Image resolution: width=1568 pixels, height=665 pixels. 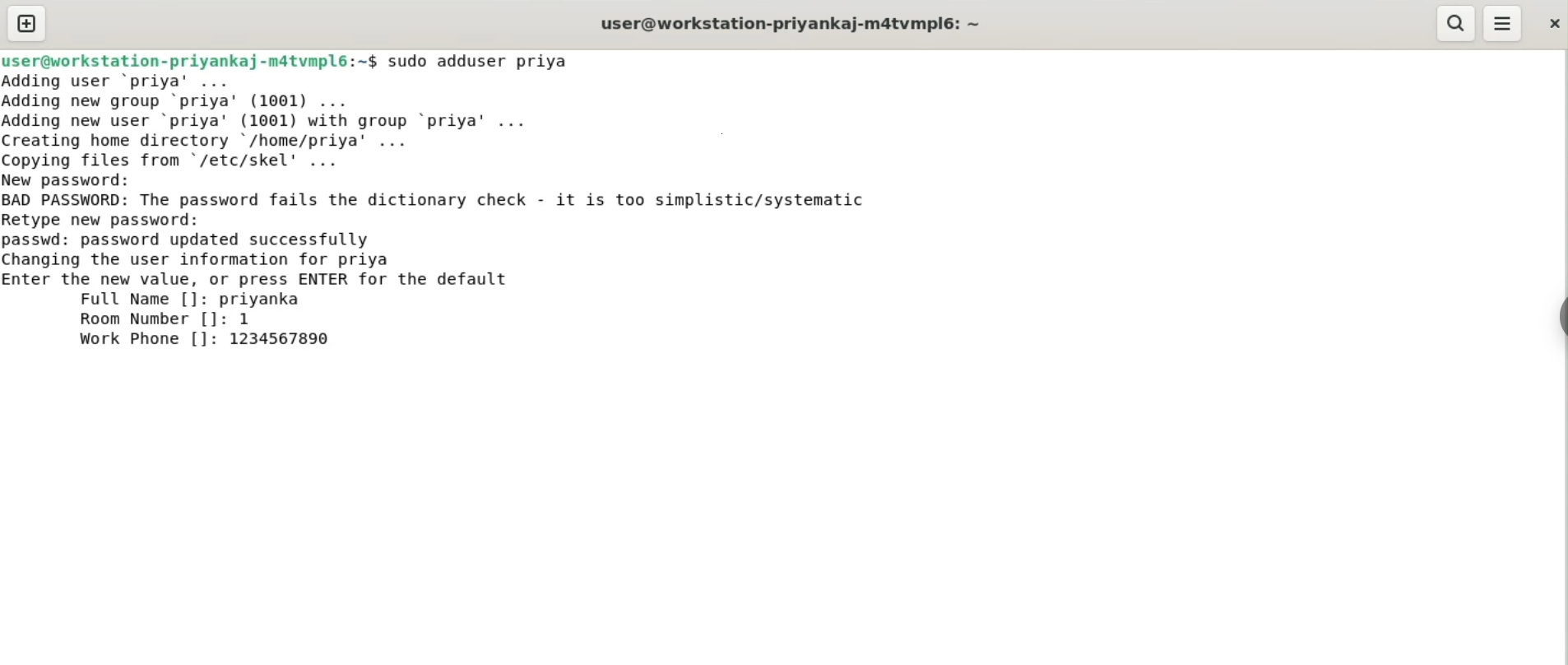 What do you see at coordinates (258, 270) in the screenshot?
I see `passwd: password updated successfullyChanging the user information for priyaEnter the new value, or press ENTER for the defaultFull Name []: priyankal ` at bounding box center [258, 270].